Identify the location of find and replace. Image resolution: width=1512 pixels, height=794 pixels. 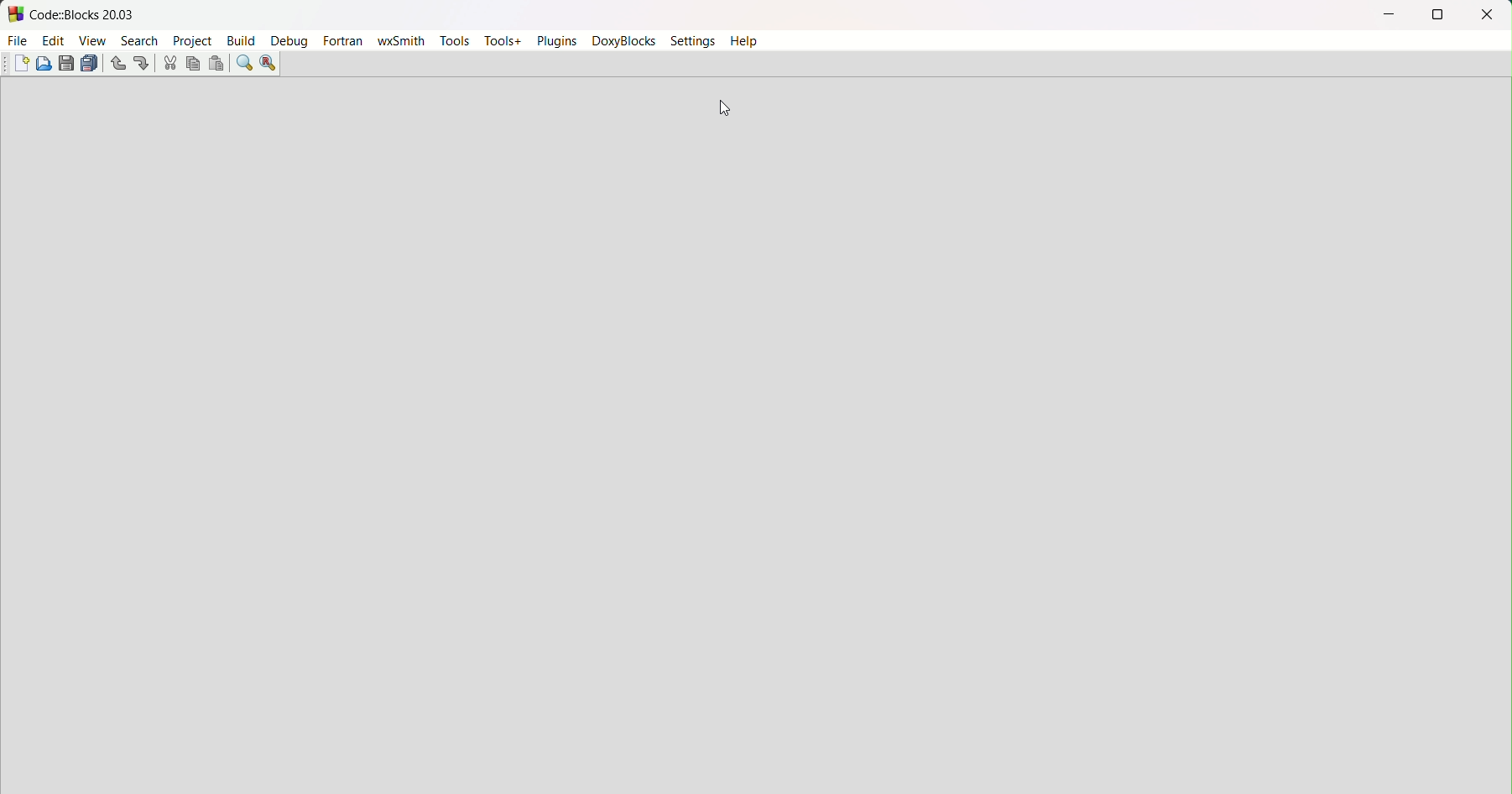
(269, 64).